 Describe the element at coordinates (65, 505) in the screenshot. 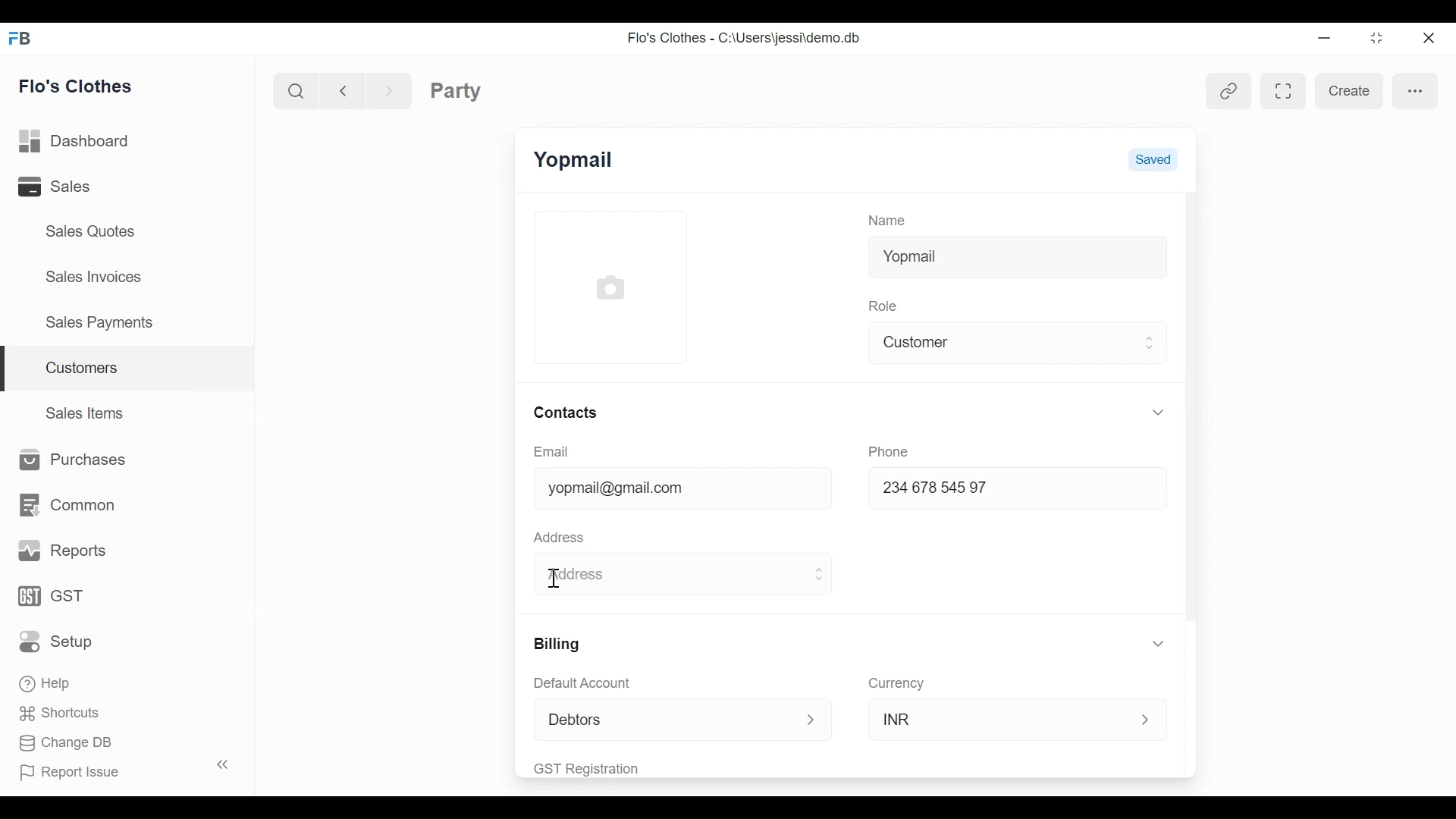

I see `Common` at that location.